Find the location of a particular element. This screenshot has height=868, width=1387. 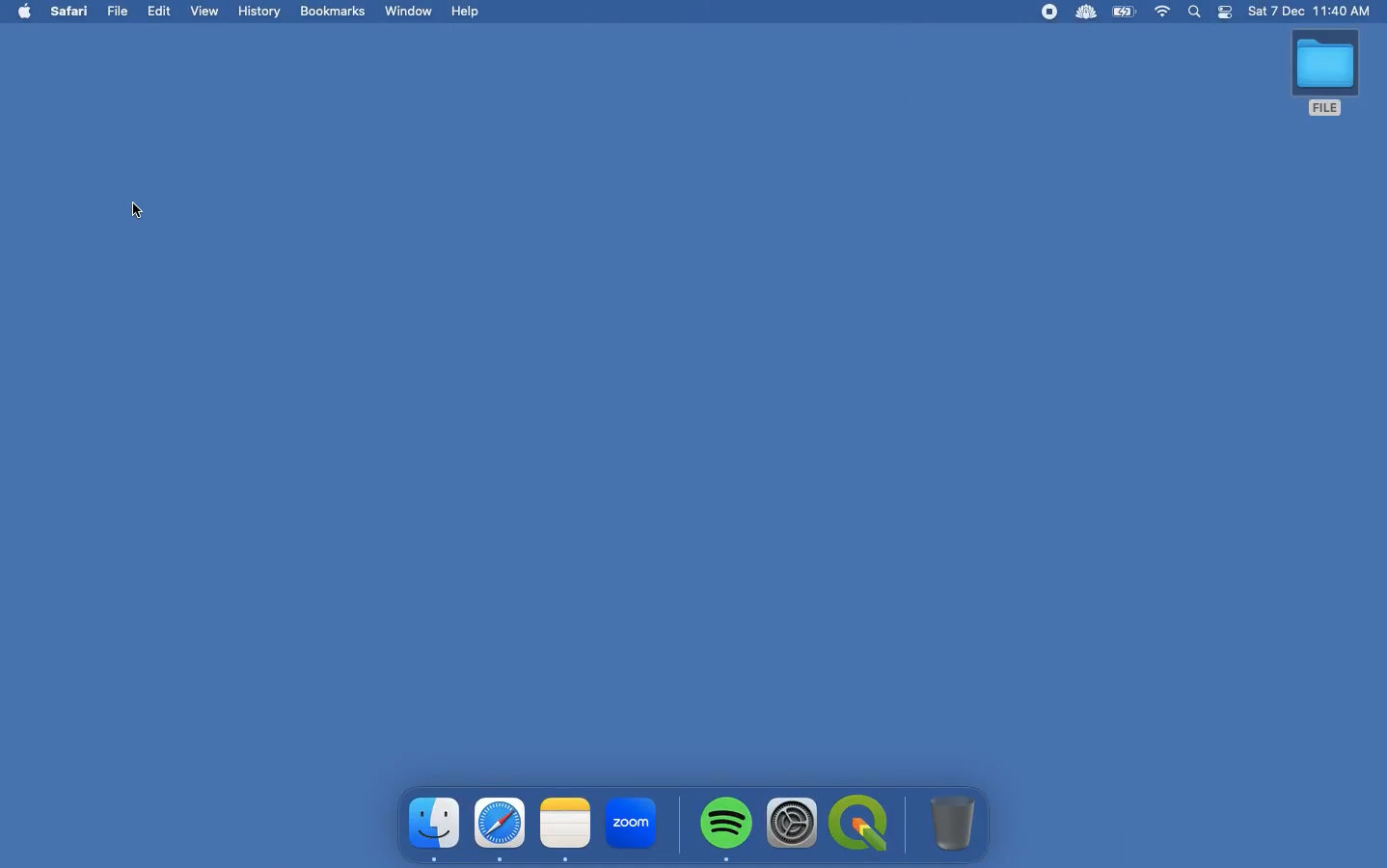

File is located at coordinates (1327, 76).